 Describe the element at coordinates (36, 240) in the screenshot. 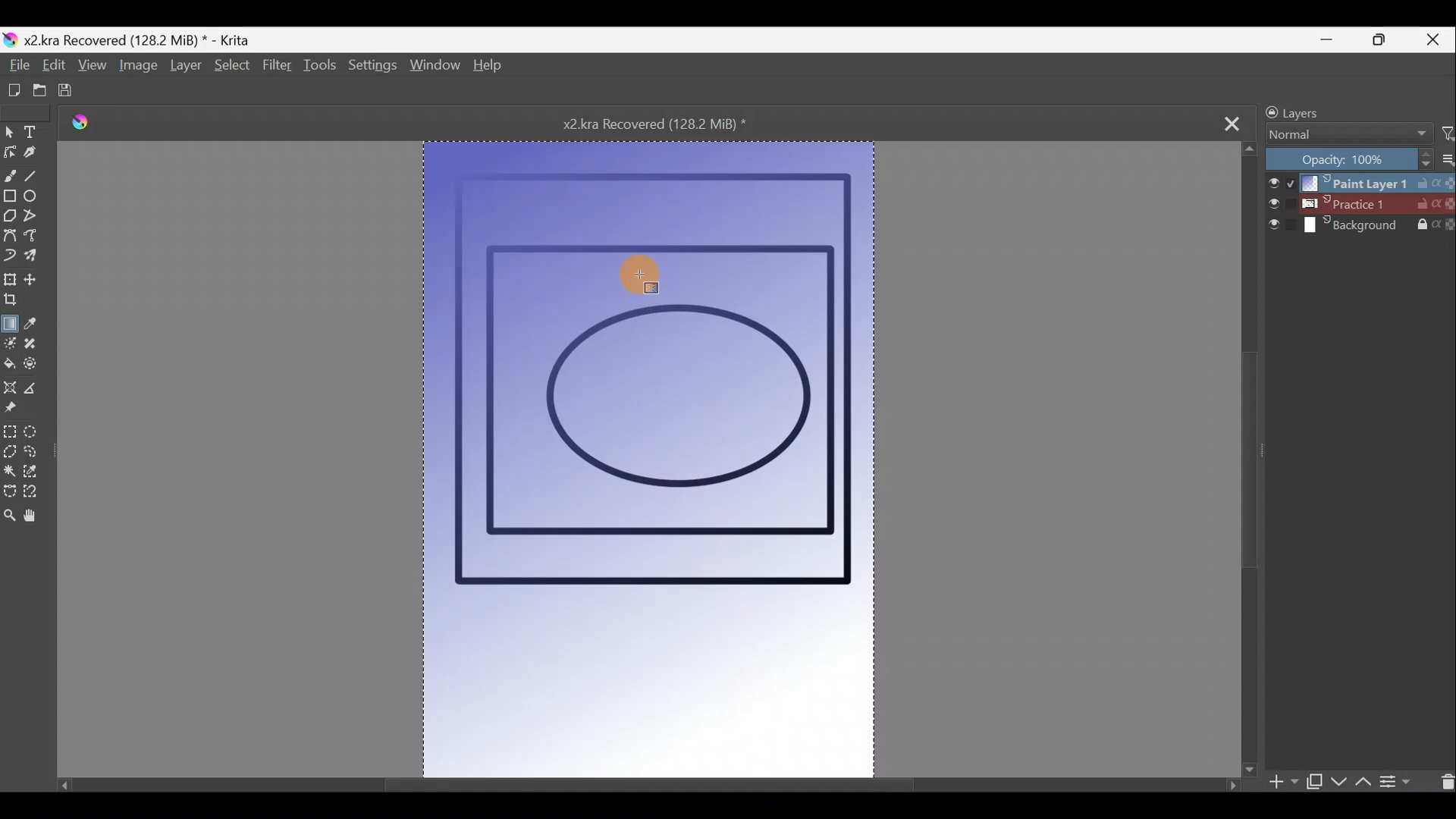

I see `Freehand path tool` at that location.